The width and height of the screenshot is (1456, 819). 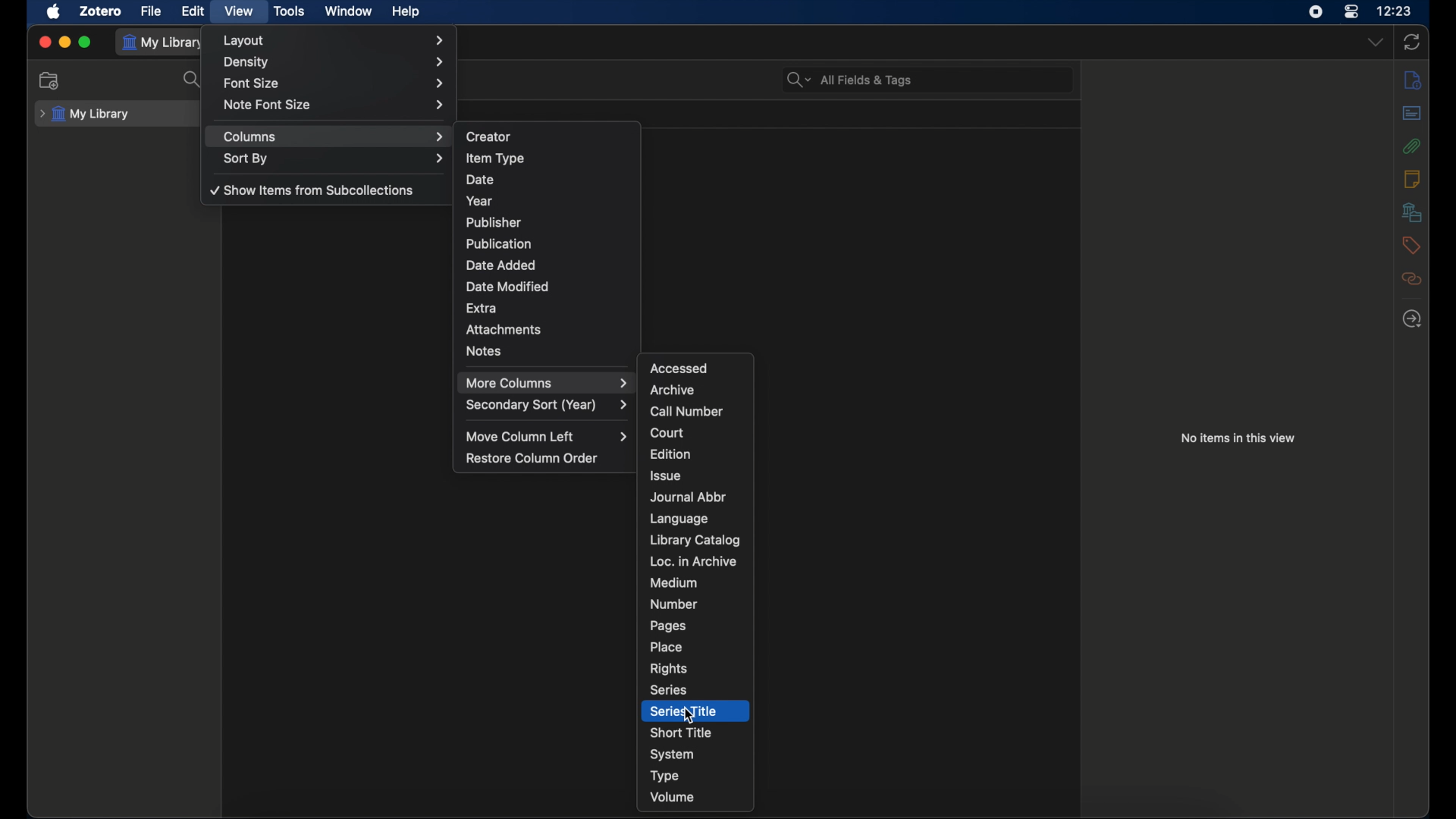 I want to click on search bar, so click(x=849, y=80).